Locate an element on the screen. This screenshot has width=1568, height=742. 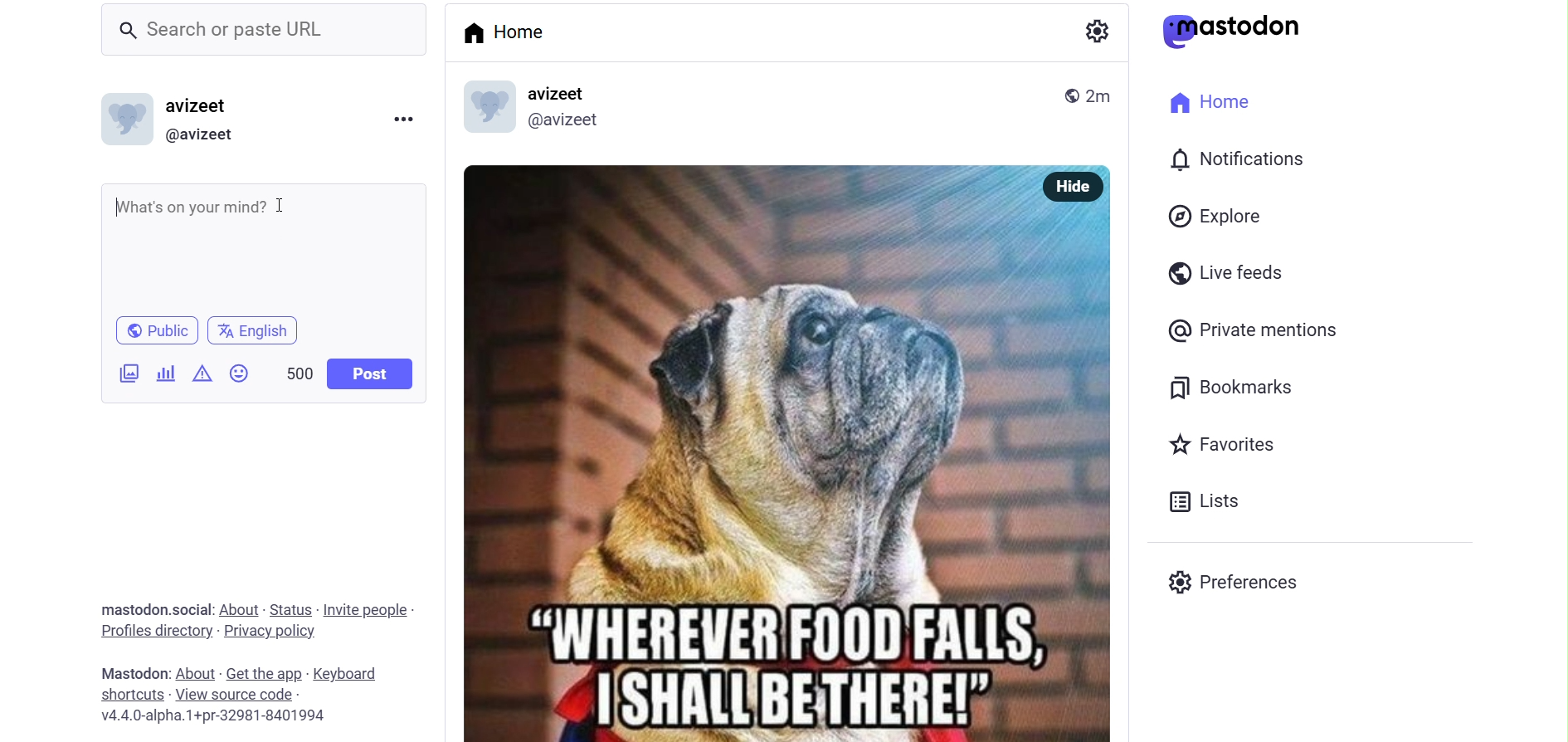
about is located at coordinates (196, 672).